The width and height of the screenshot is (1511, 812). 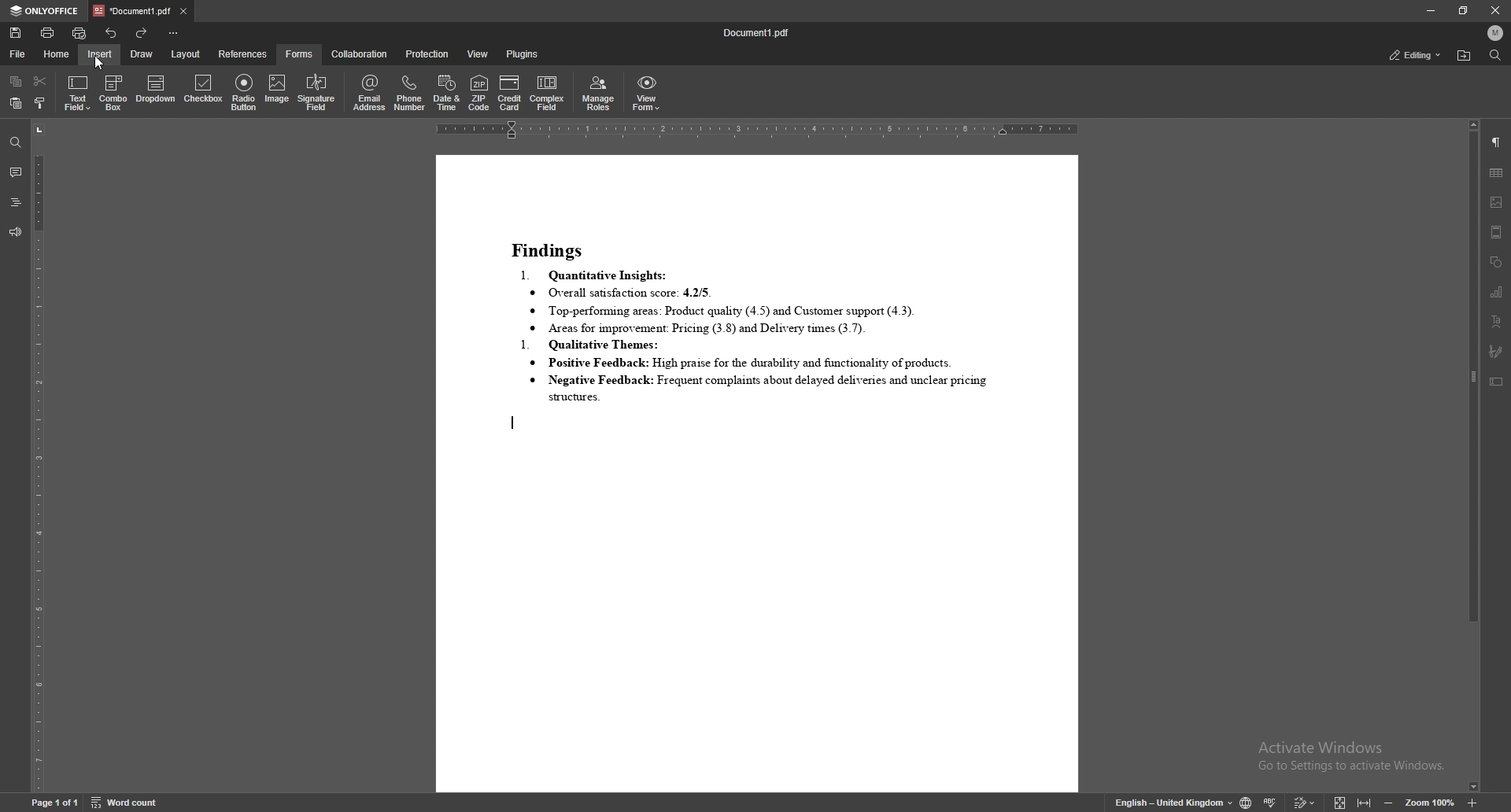 I want to click on zoom out, so click(x=1388, y=803).